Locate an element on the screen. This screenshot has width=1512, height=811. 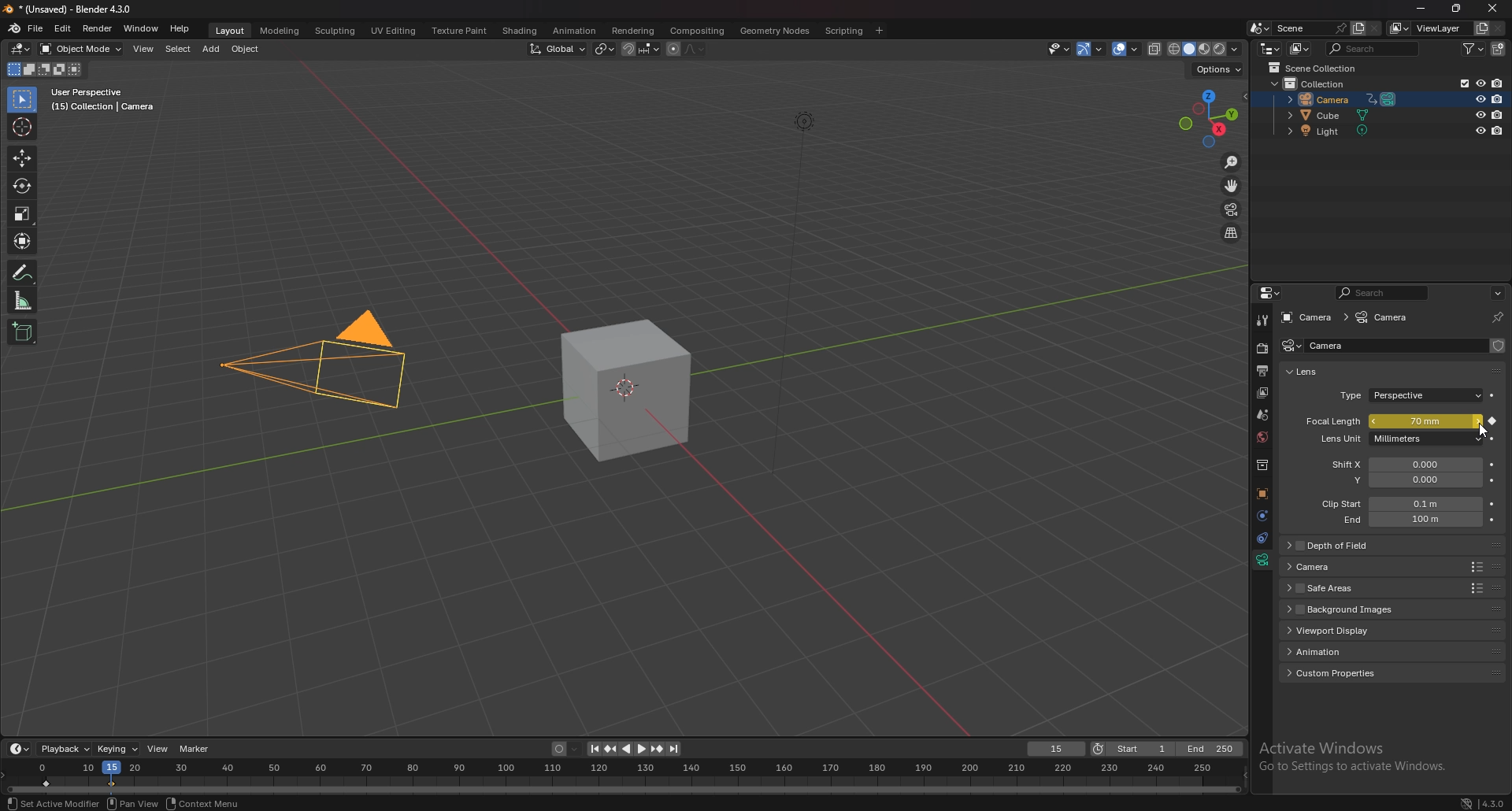
tool is located at coordinates (1262, 320).